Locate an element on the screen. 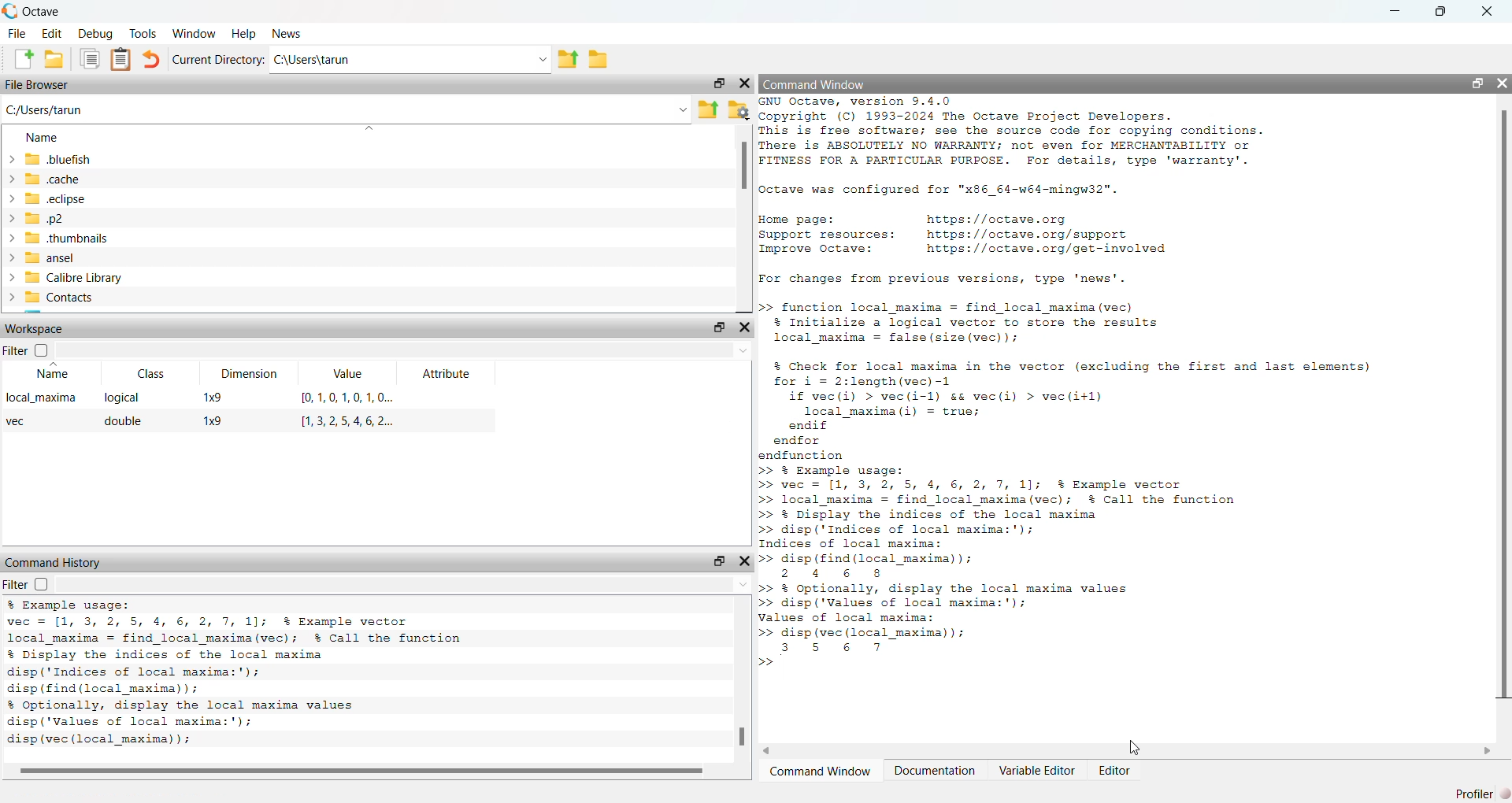  Variable Editor is located at coordinates (1039, 771).